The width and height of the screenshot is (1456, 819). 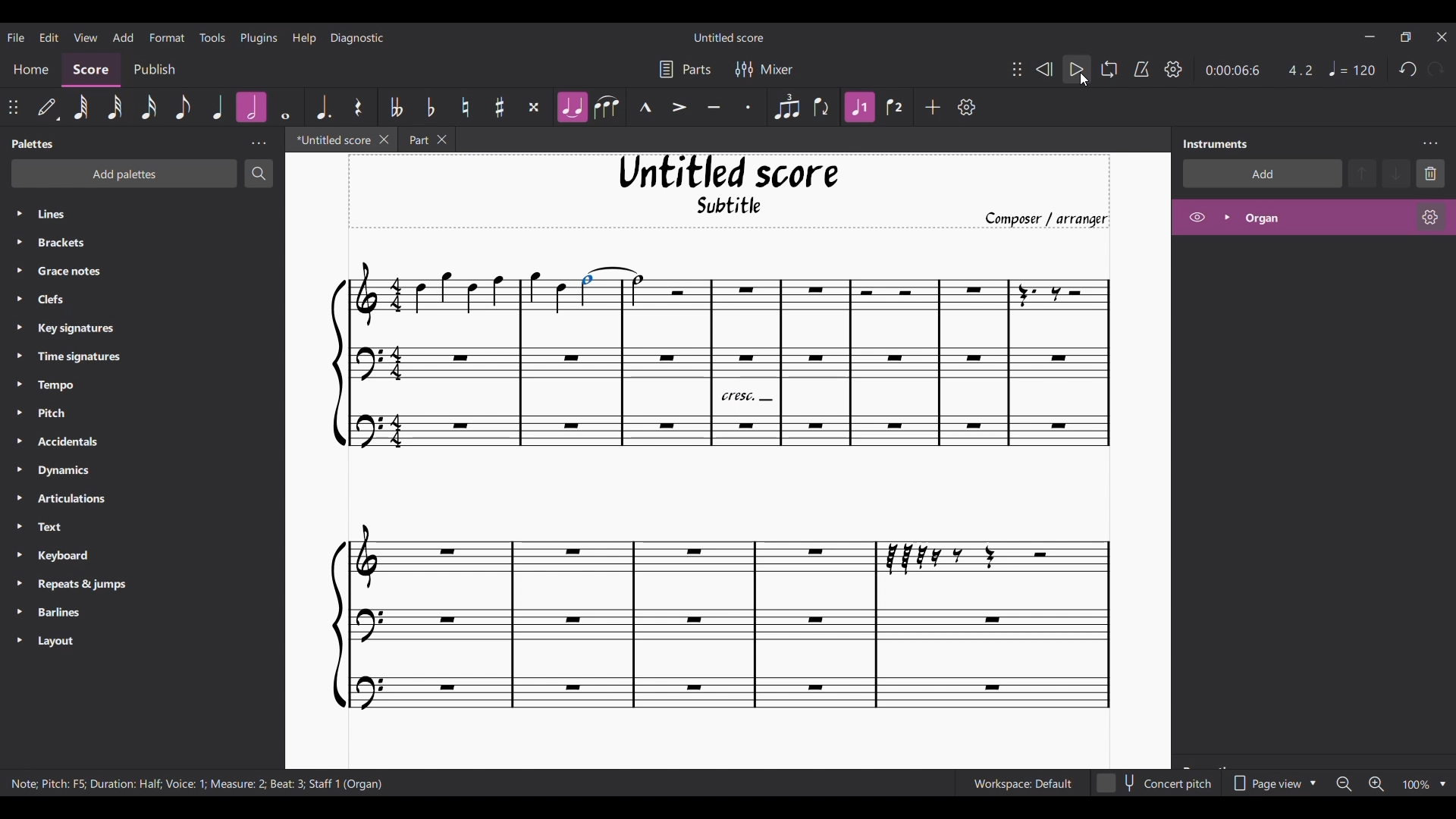 What do you see at coordinates (858, 107) in the screenshot?
I see `Voice 1` at bounding box center [858, 107].